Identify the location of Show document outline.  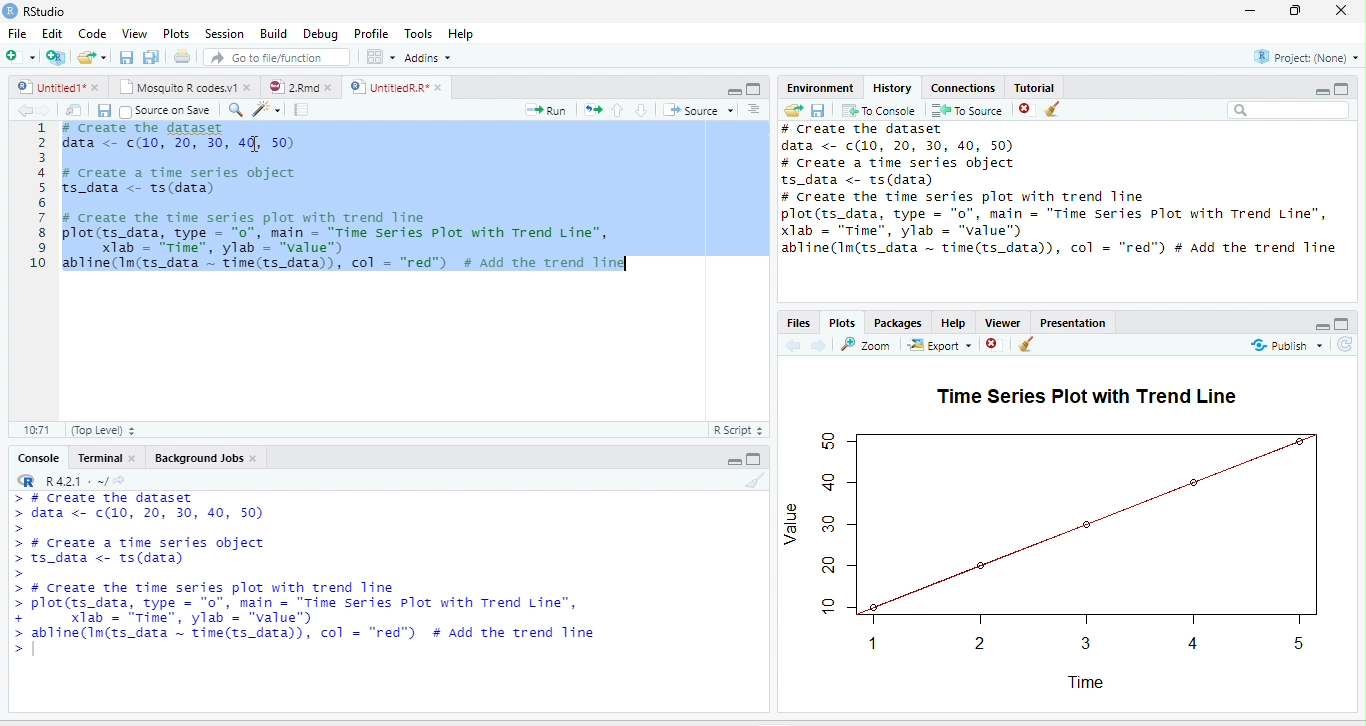
(754, 109).